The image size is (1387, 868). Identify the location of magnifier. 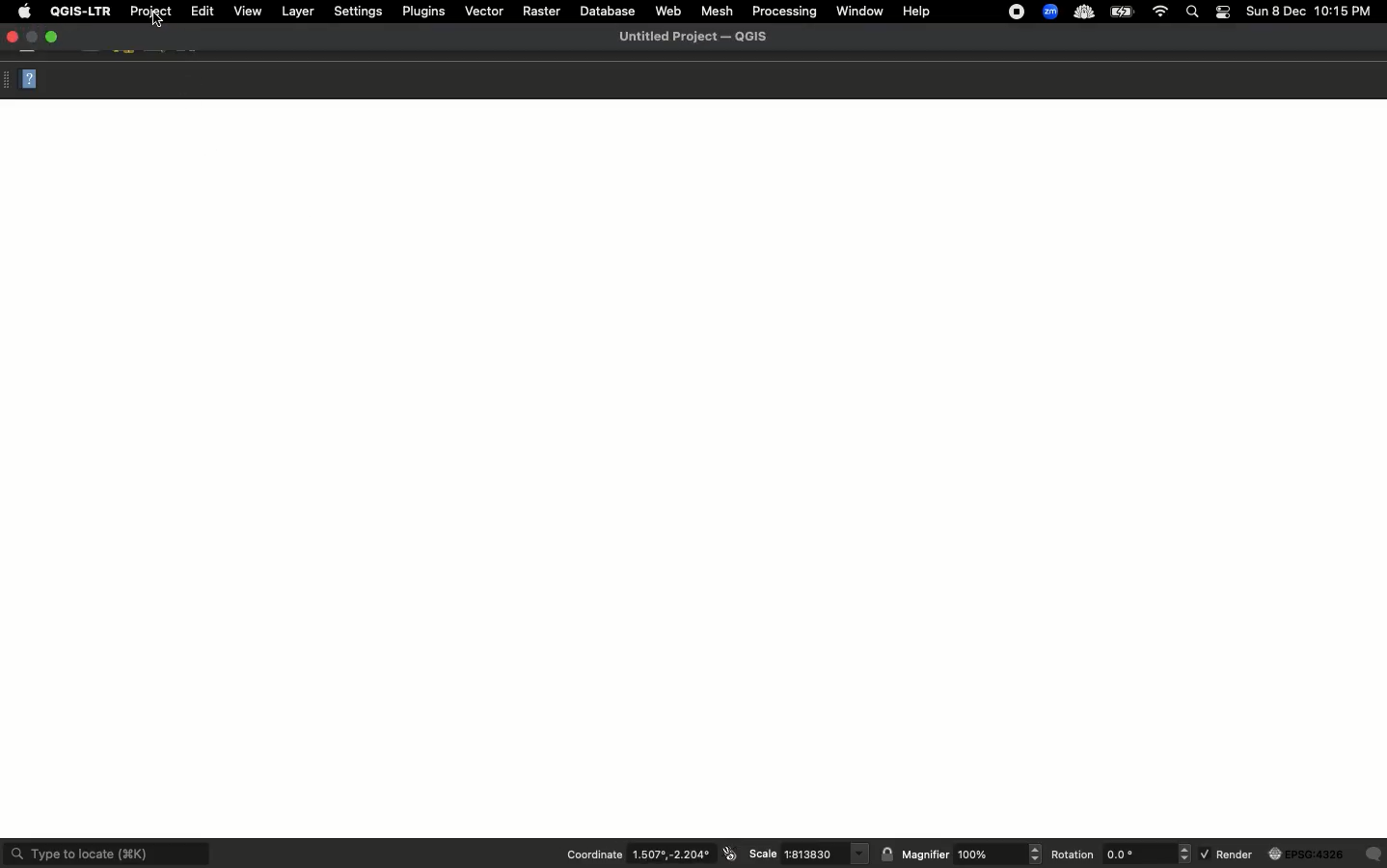
(999, 854).